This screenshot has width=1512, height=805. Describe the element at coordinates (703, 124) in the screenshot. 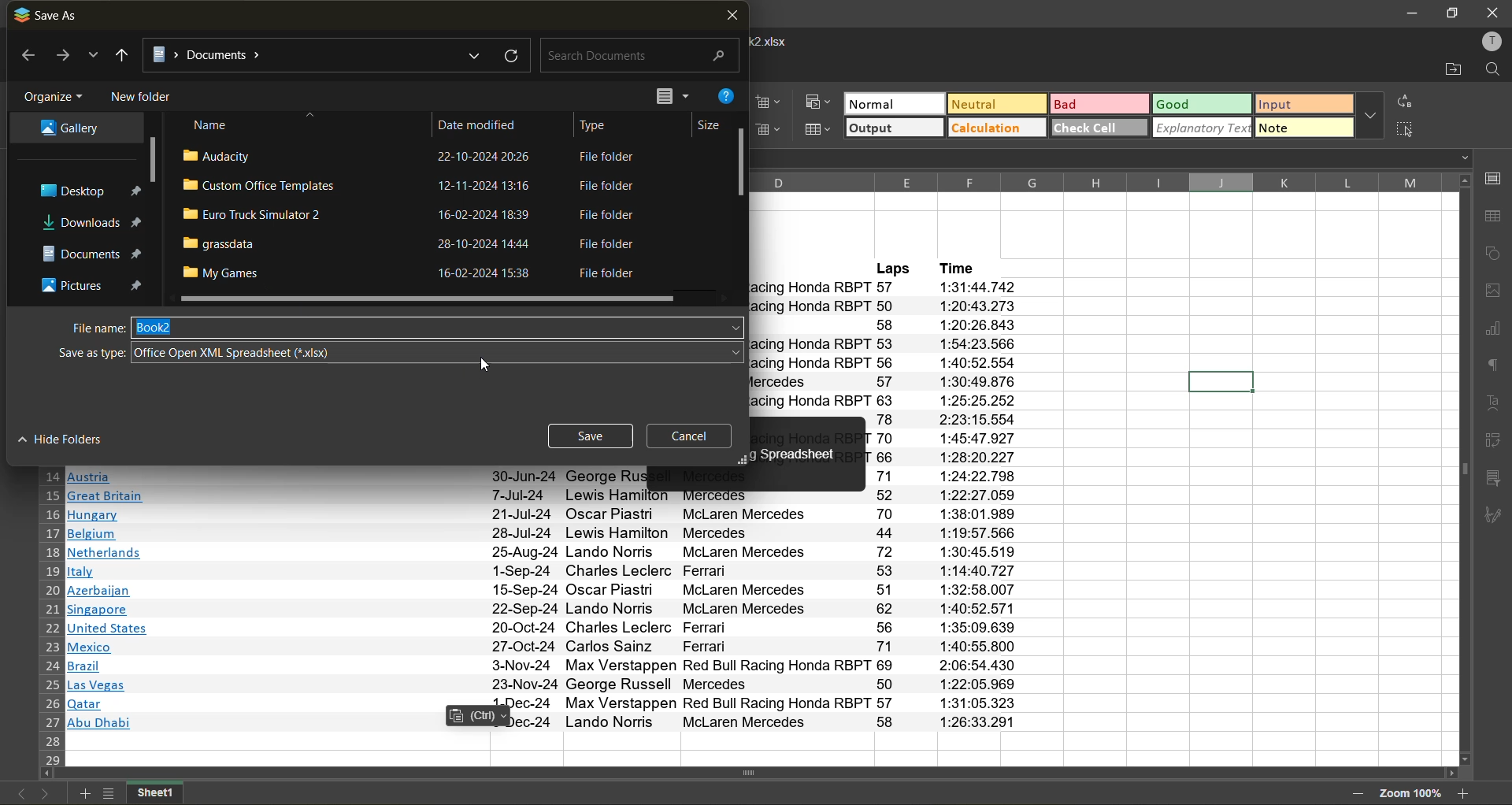

I see `size` at that location.